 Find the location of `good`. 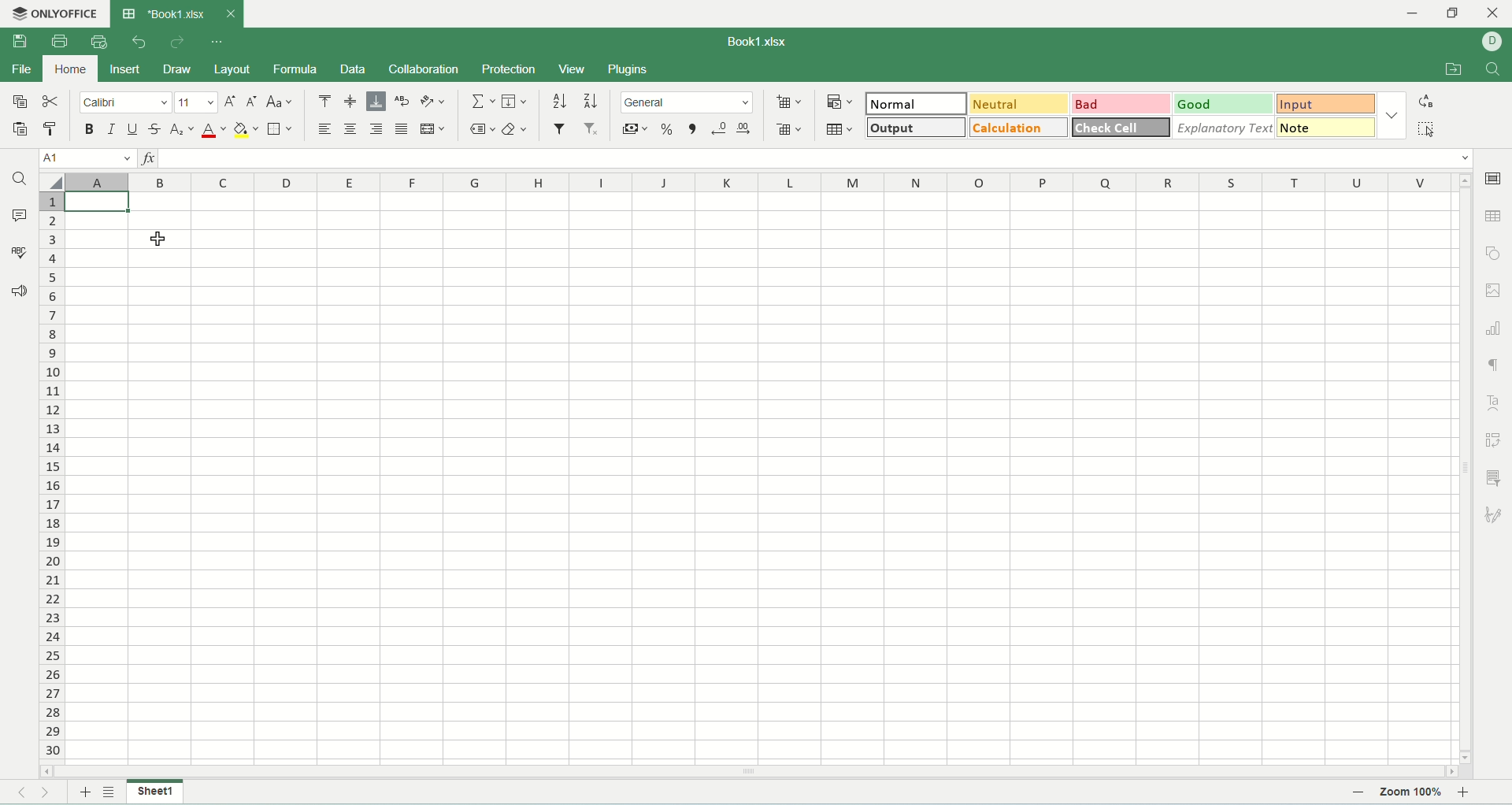

good is located at coordinates (1230, 104).